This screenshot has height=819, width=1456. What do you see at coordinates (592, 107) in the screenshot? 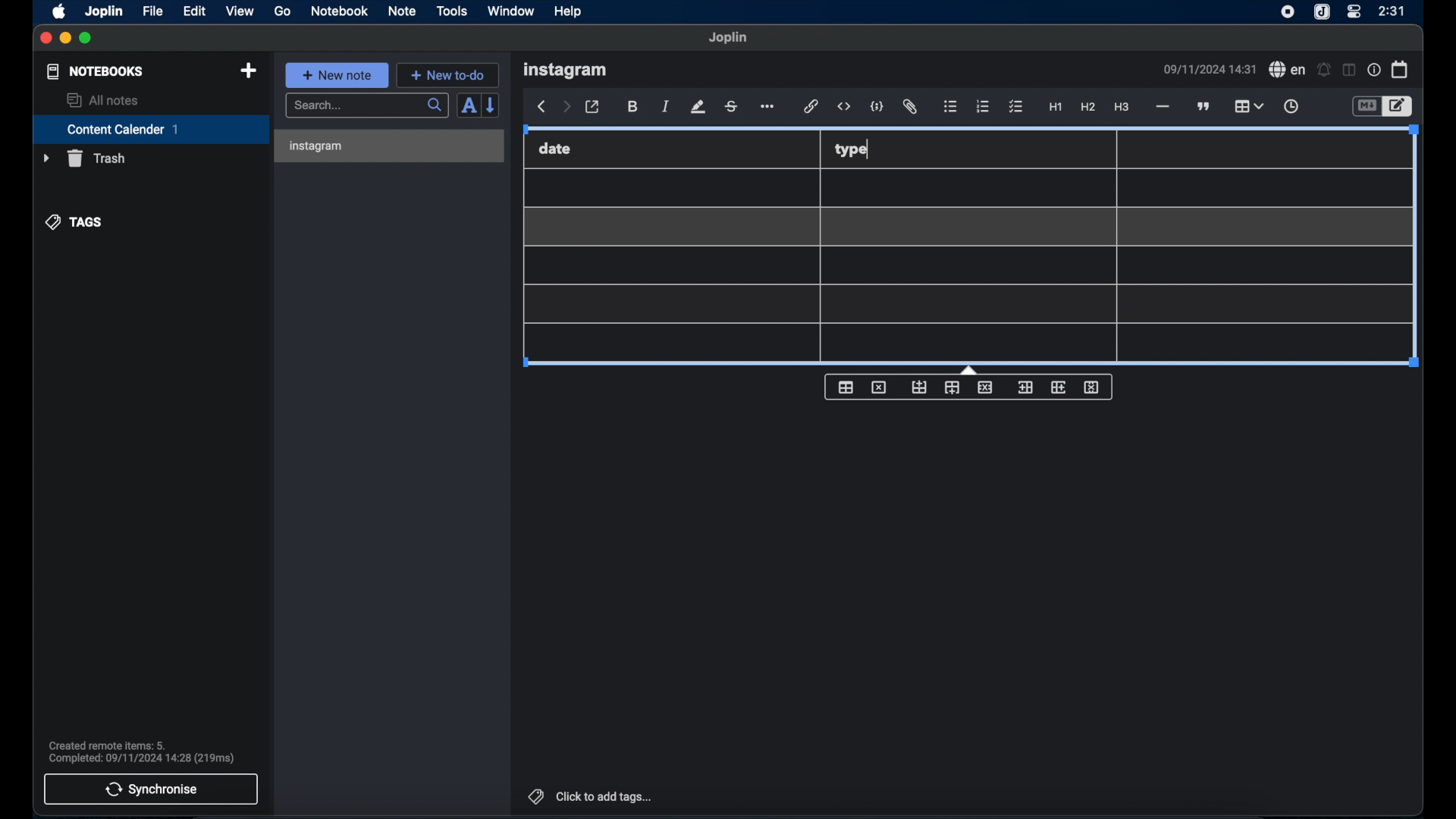
I see `toggle external editor` at bounding box center [592, 107].